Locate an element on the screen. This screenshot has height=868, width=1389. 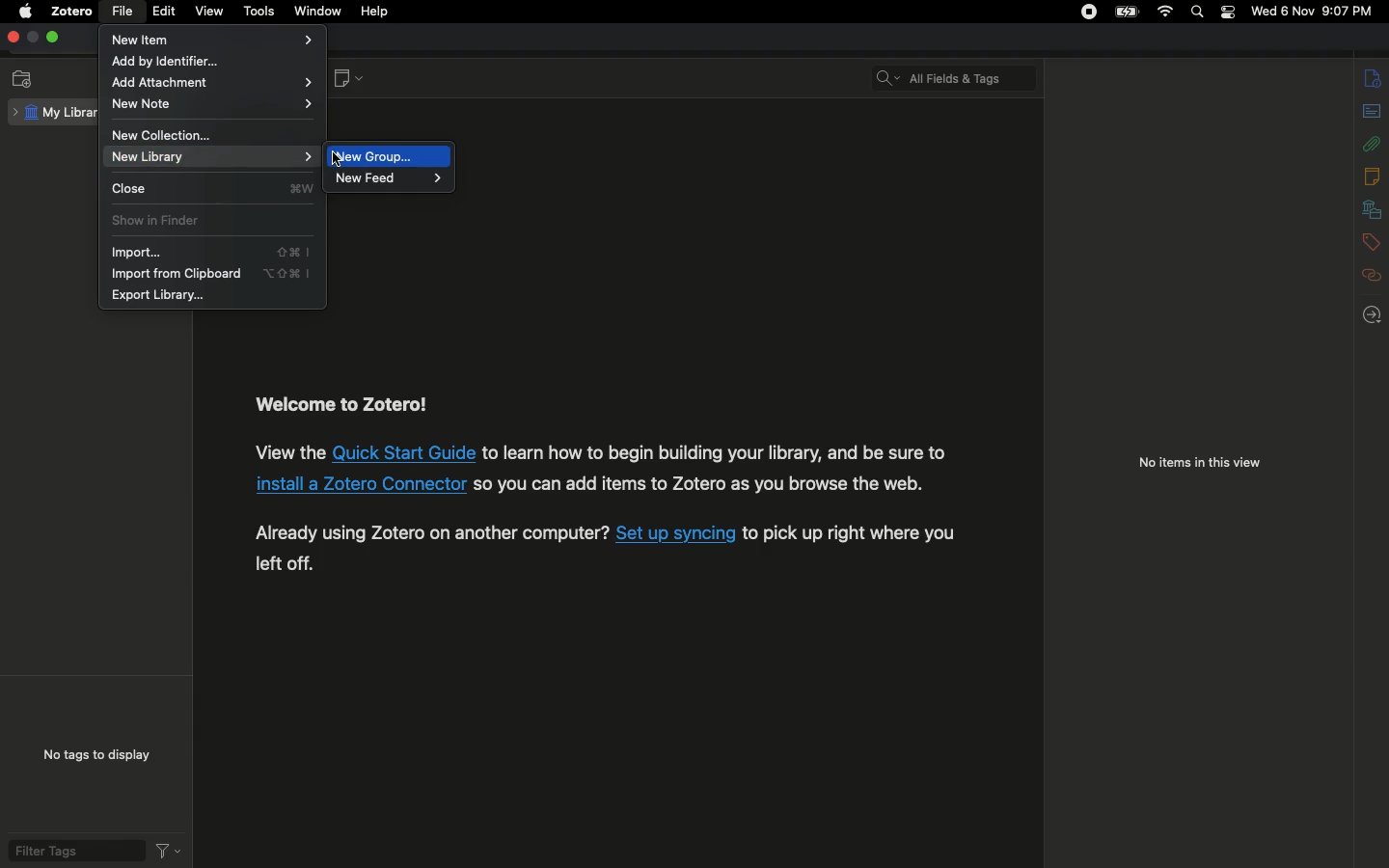
Minimize is located at coordinates (32, 38).